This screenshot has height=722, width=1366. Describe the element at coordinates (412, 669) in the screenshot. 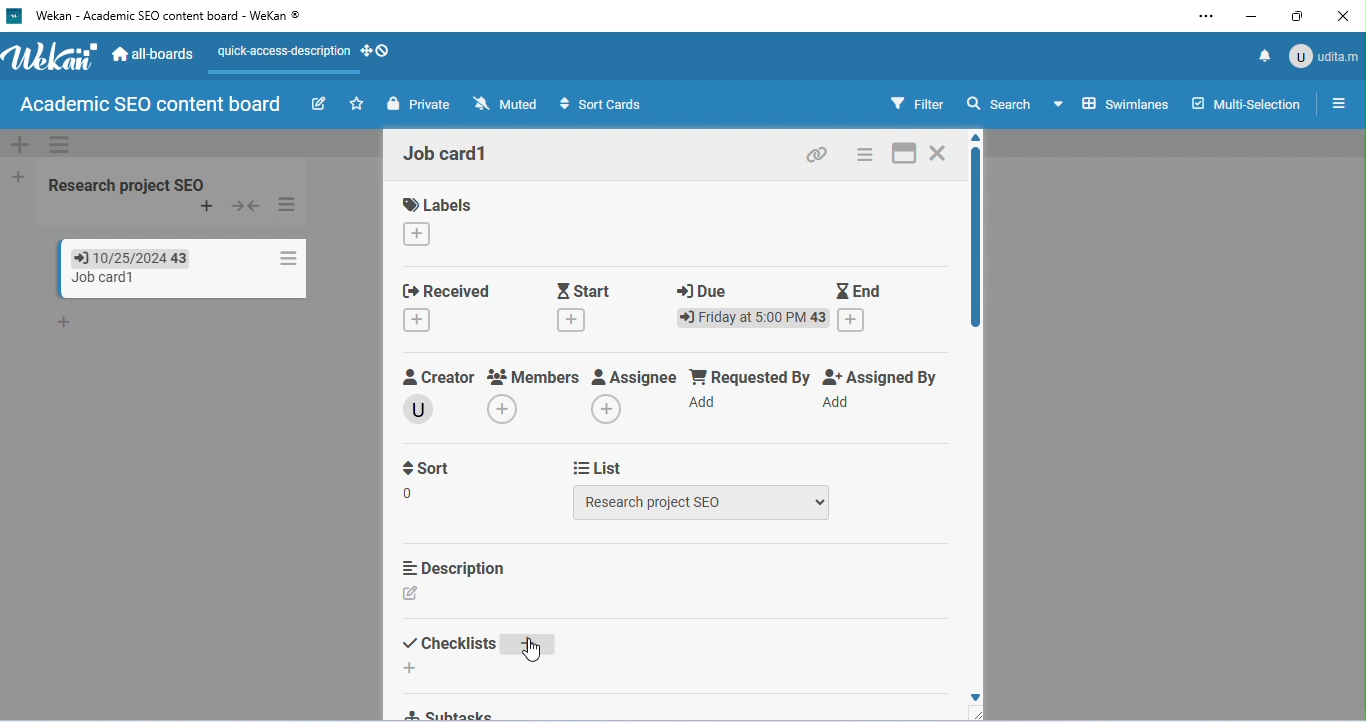

I see `add an item to checklist` at that location.